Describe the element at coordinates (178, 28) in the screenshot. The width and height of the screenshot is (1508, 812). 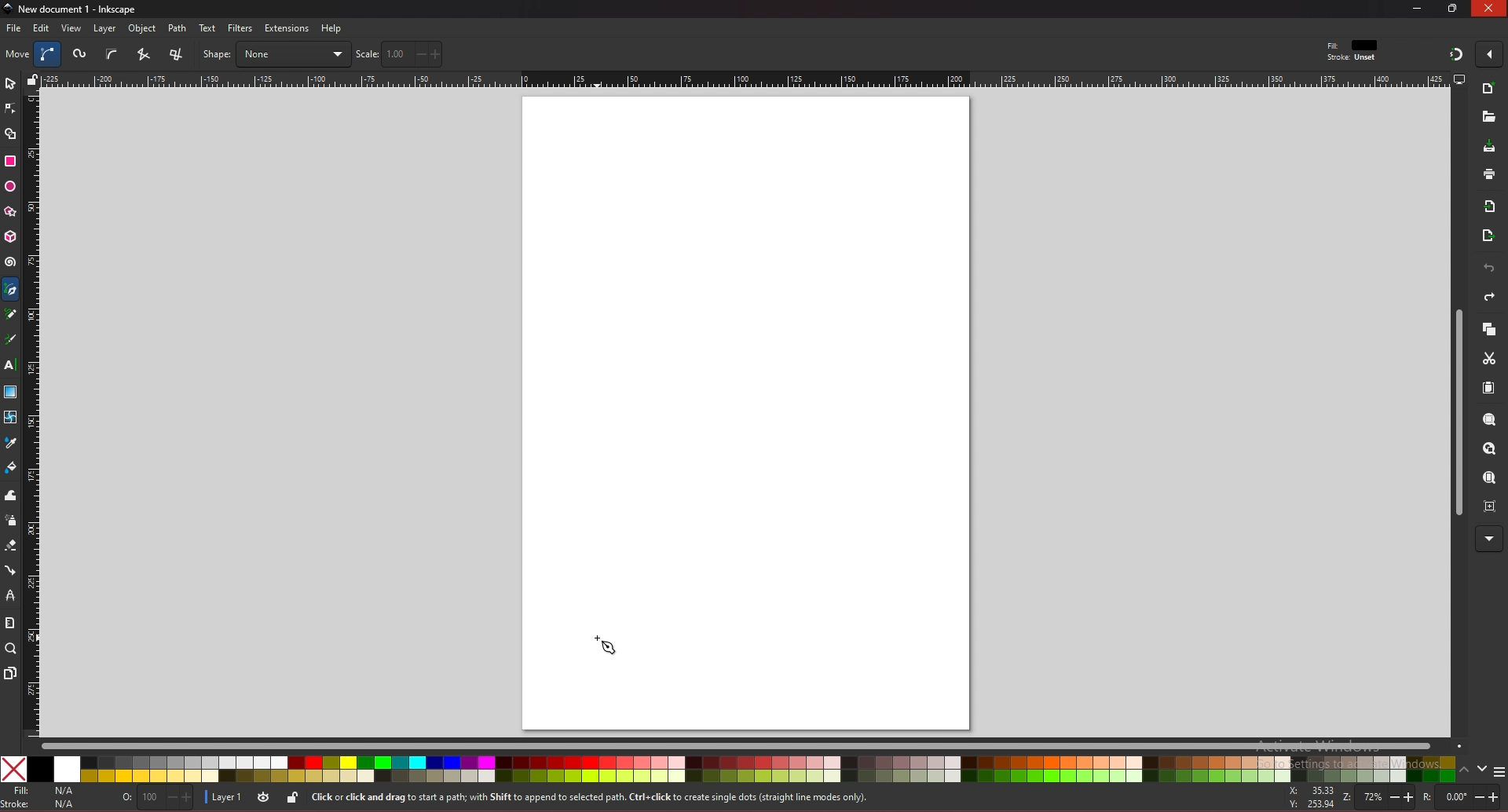
I see `path` at that location.